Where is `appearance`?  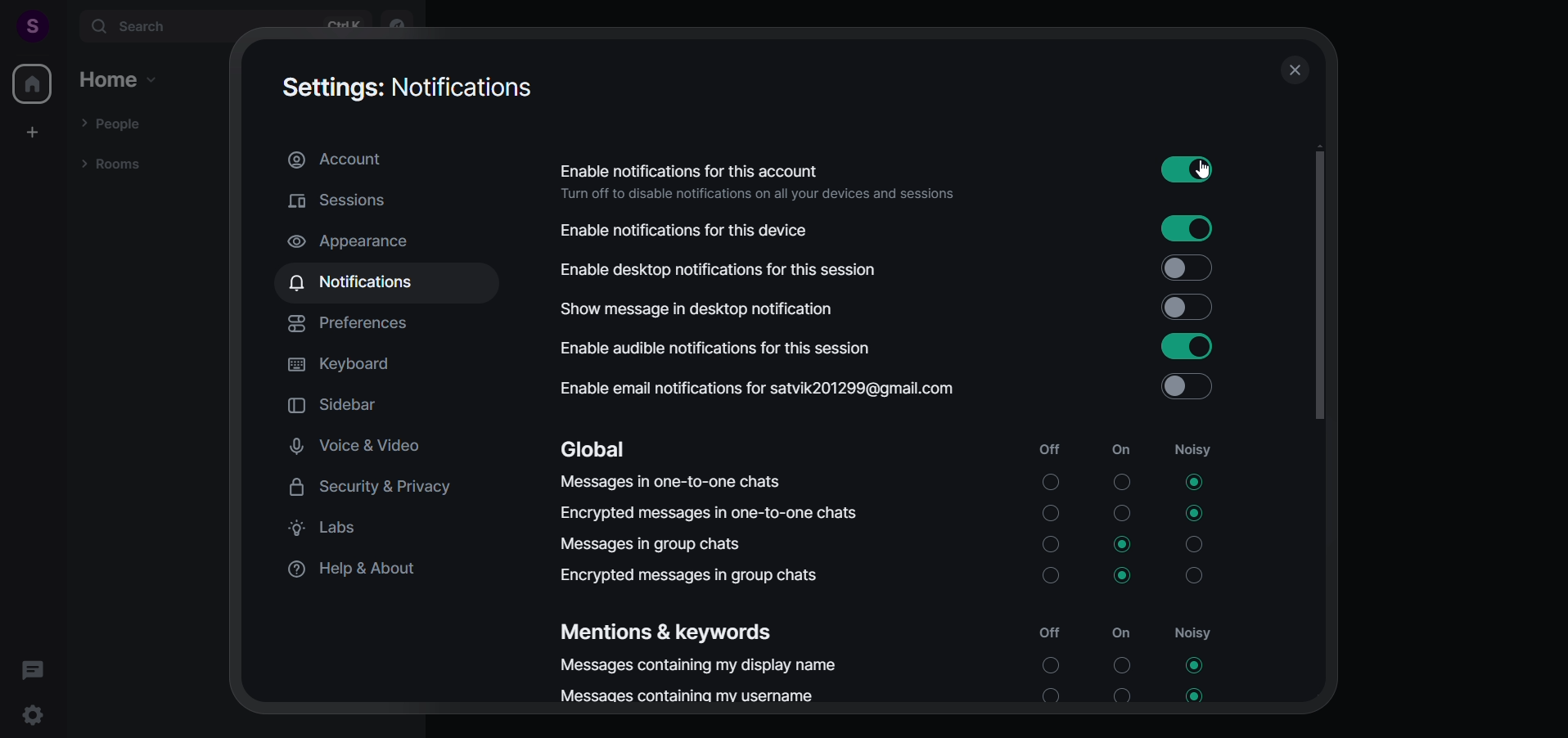
appearance is located at coordinates (369, 240).